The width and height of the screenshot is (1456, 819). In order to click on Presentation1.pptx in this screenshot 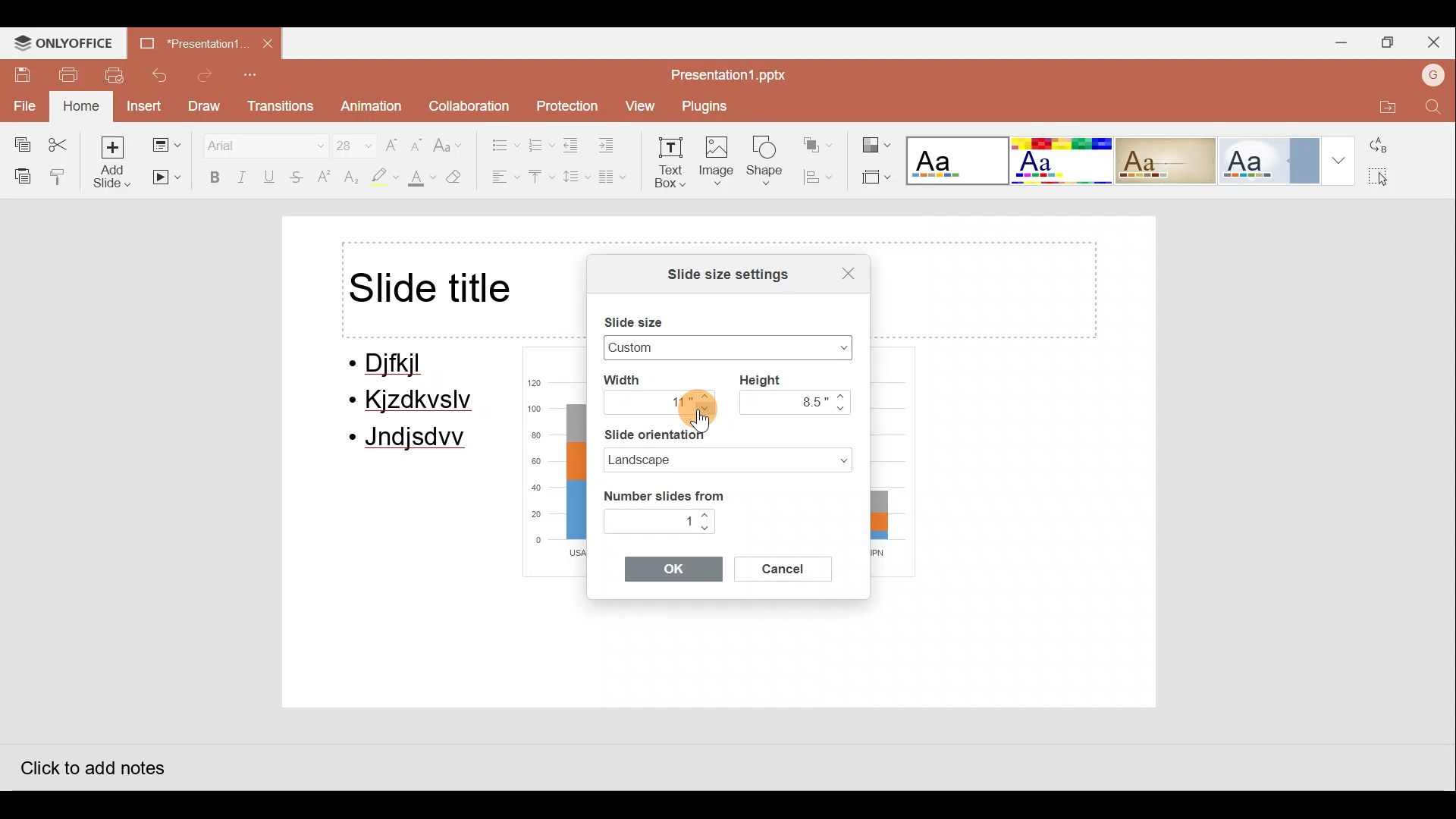, I will do `click(725, 74)`.